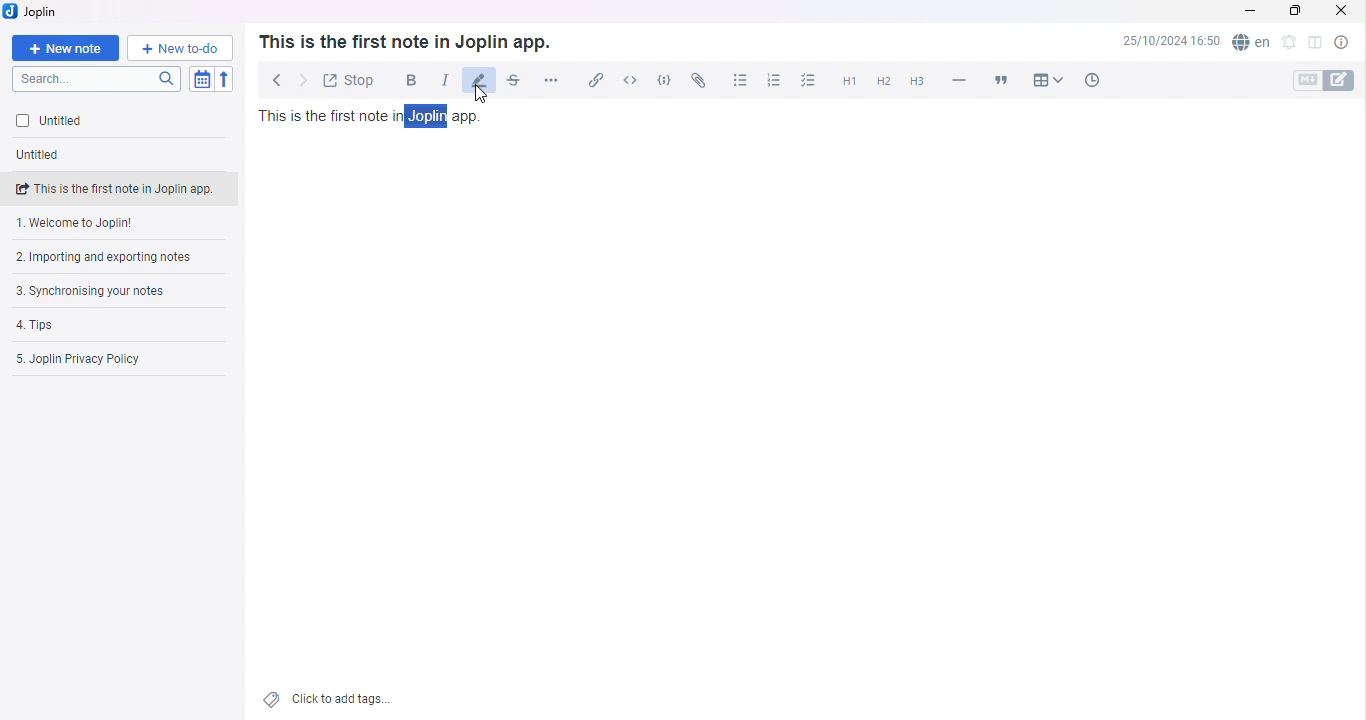 Image resolution: width=1366 pixels, height=720 pixels. I want to click on More options, so click(554, 79).